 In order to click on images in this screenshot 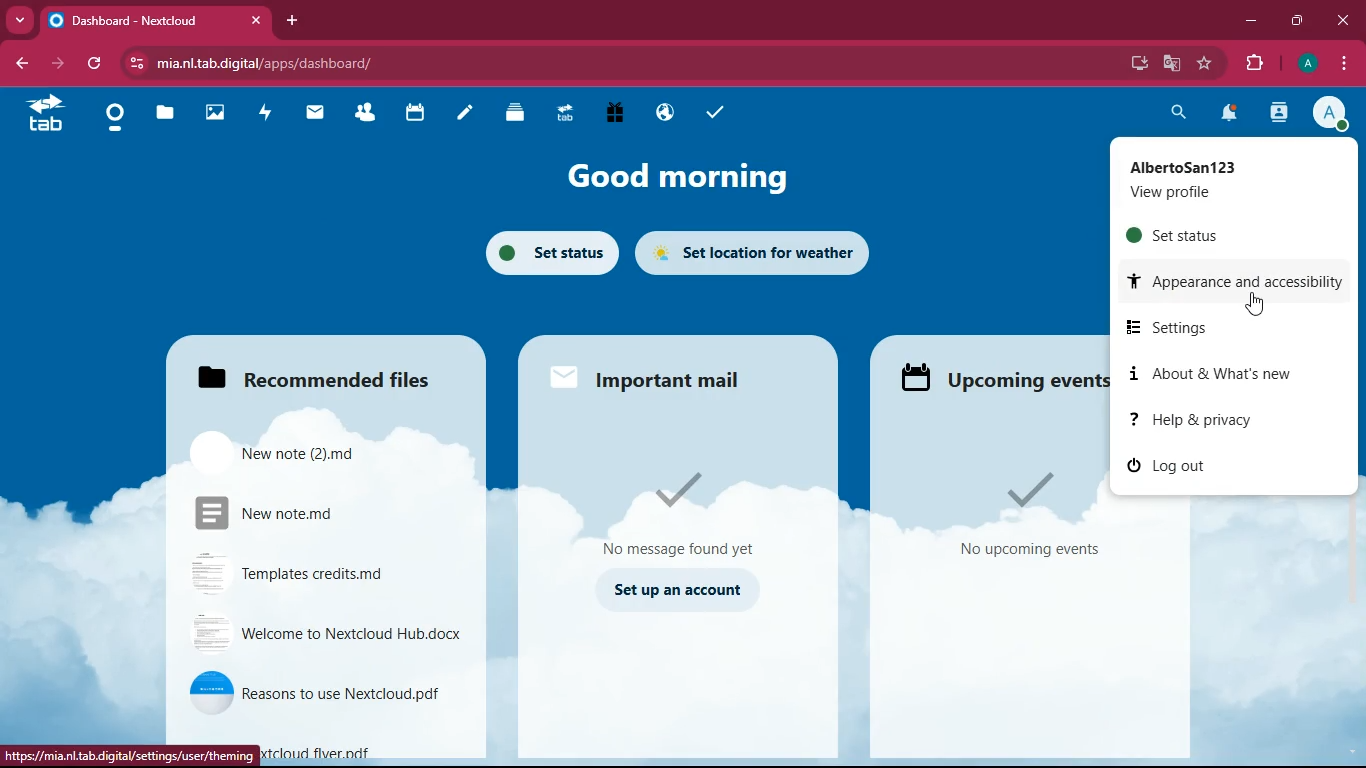, I will do `click(220, 113)`.